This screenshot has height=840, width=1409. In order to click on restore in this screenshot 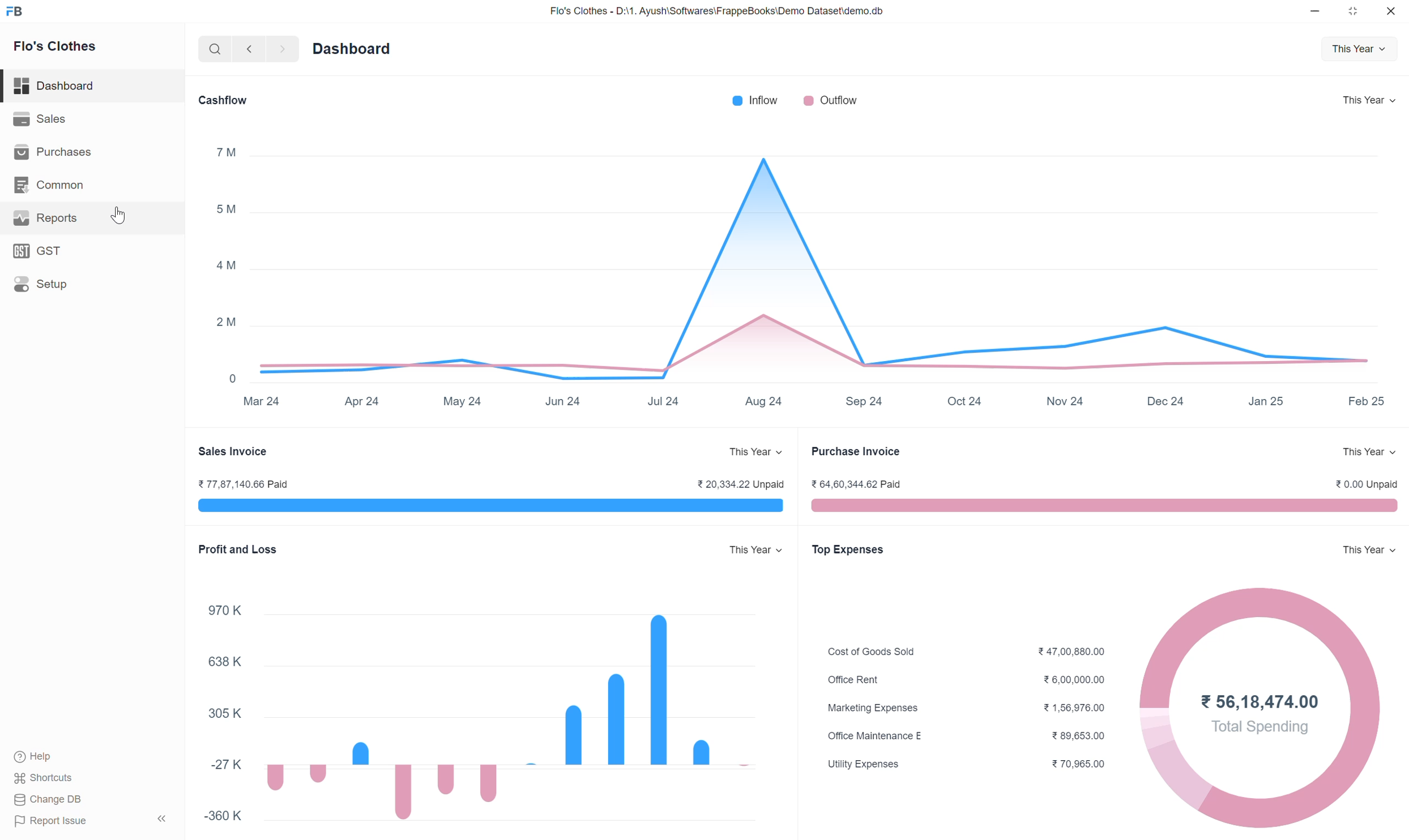, I will do `click(1355, 11)`.